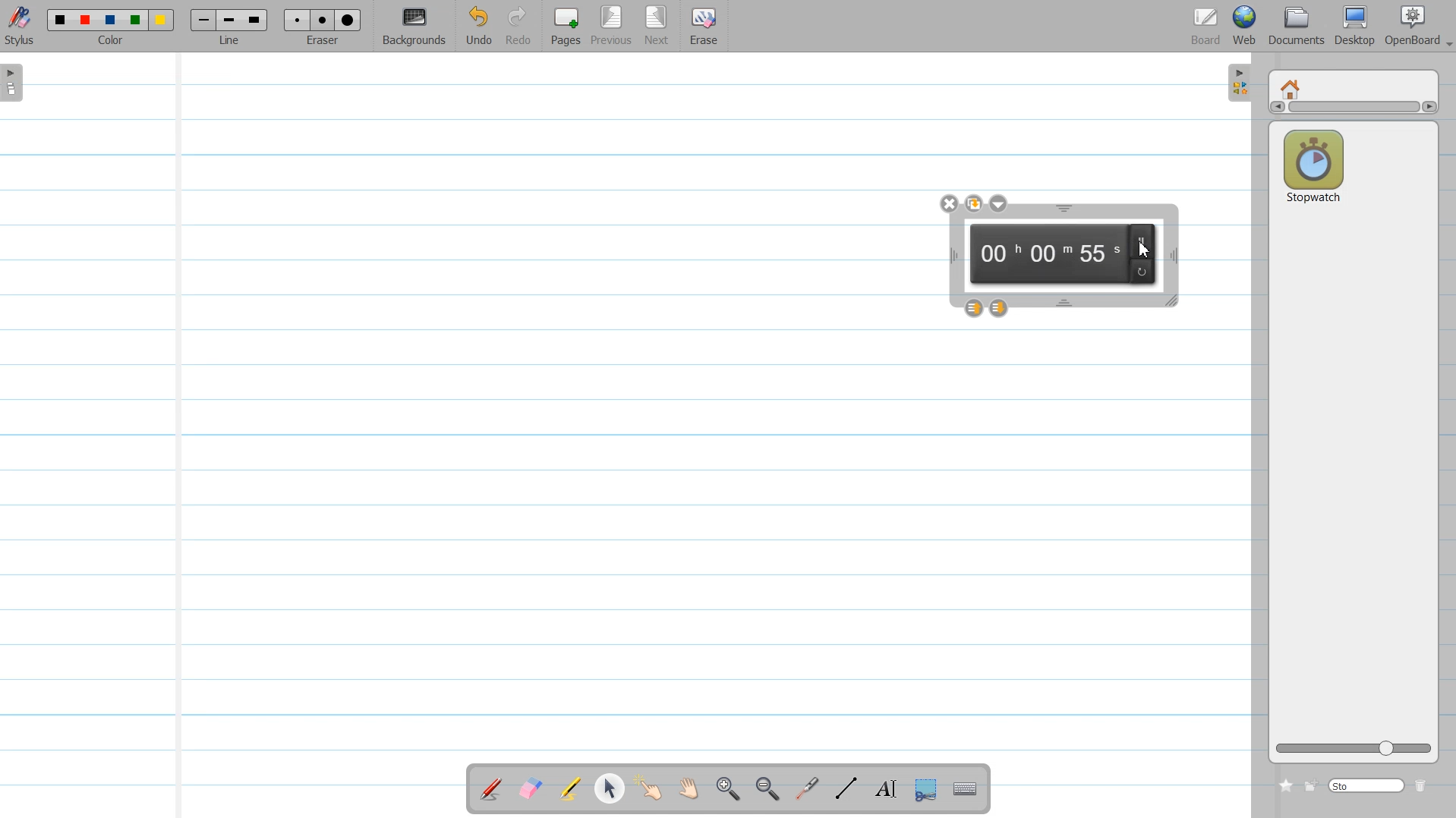 This screenshot has height=818, width=1456. What do you see at coordinates (519, 27) in the screenshot?
I see `Redo` at bounding box center [519, 27].